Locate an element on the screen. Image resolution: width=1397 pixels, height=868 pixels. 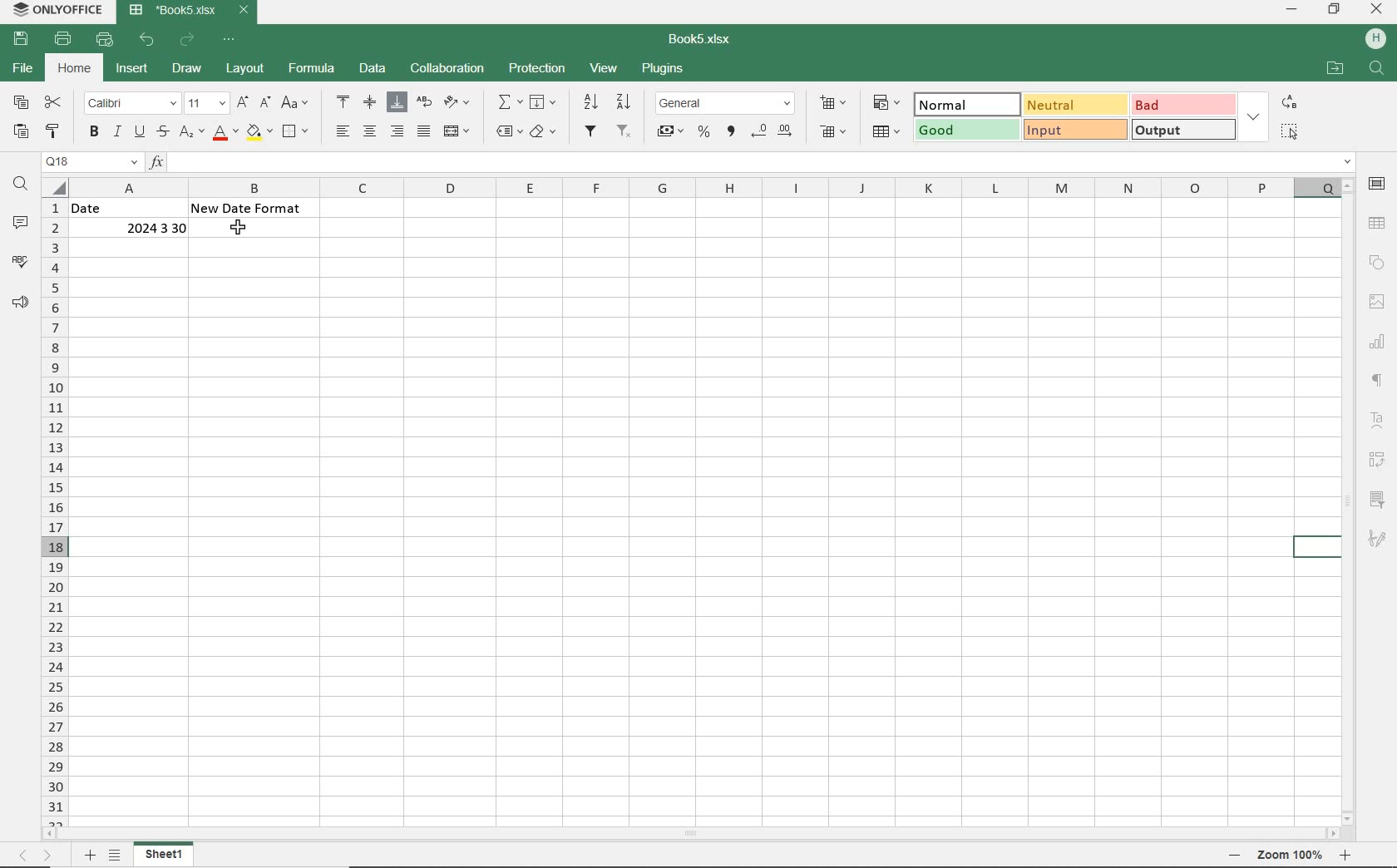
REPLACE is located at coordinates (1289, 103).